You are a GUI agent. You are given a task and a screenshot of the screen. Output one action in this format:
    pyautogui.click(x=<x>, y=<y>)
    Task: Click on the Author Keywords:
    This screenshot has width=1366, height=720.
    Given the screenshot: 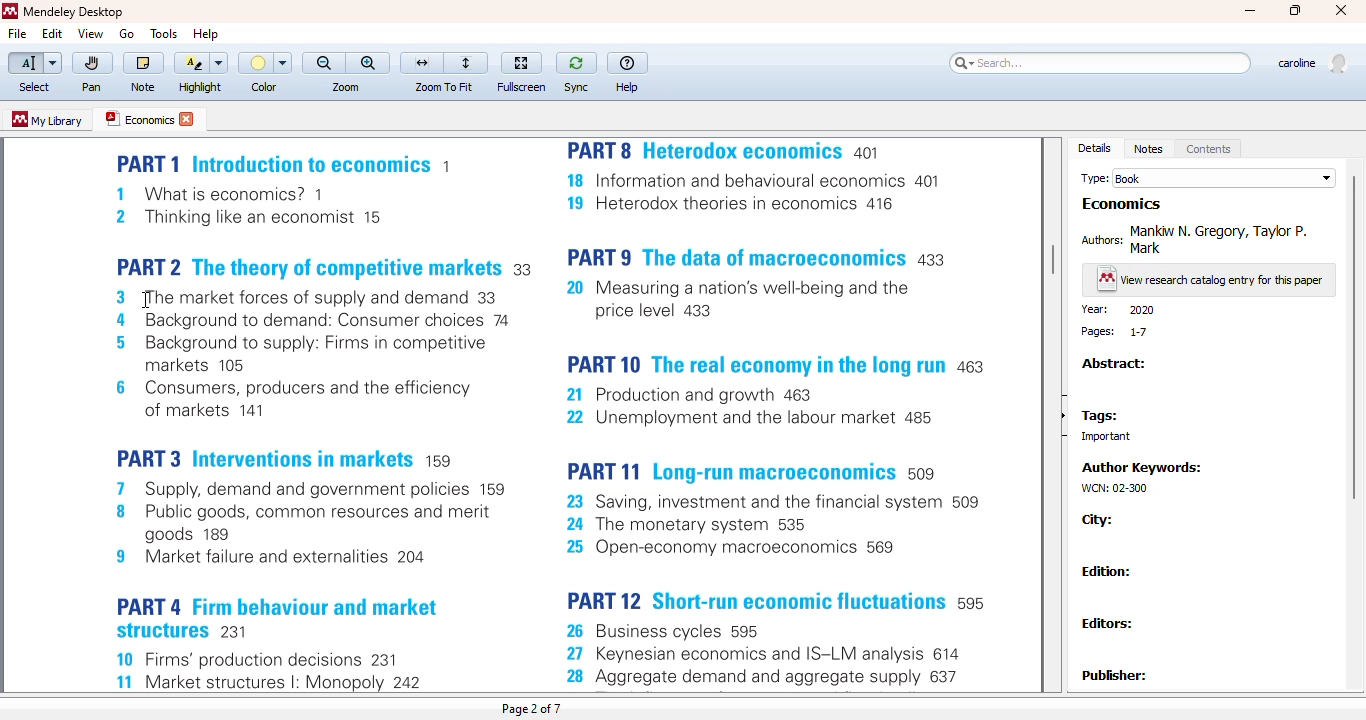 What is the action you would take?
    pyautogui.click(x=1140, y=463)
    